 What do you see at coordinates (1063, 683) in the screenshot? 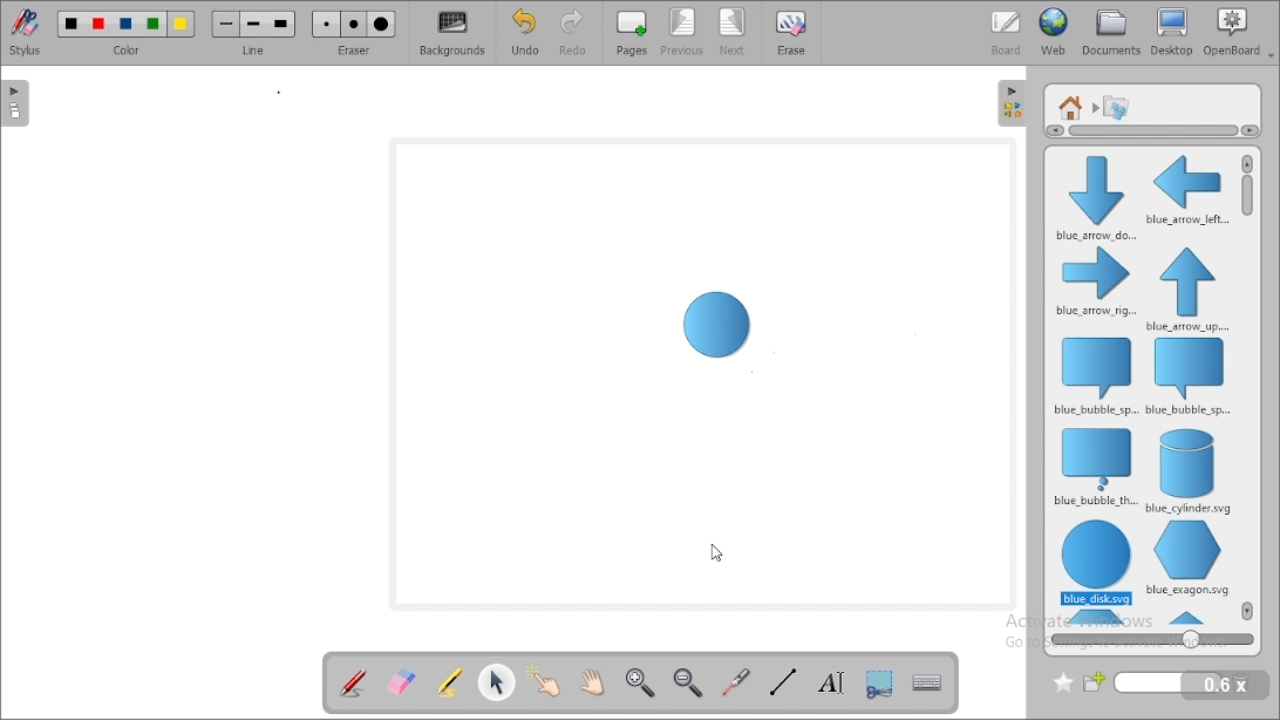
I see `add to favorites` at bounding box center [1063, 683].